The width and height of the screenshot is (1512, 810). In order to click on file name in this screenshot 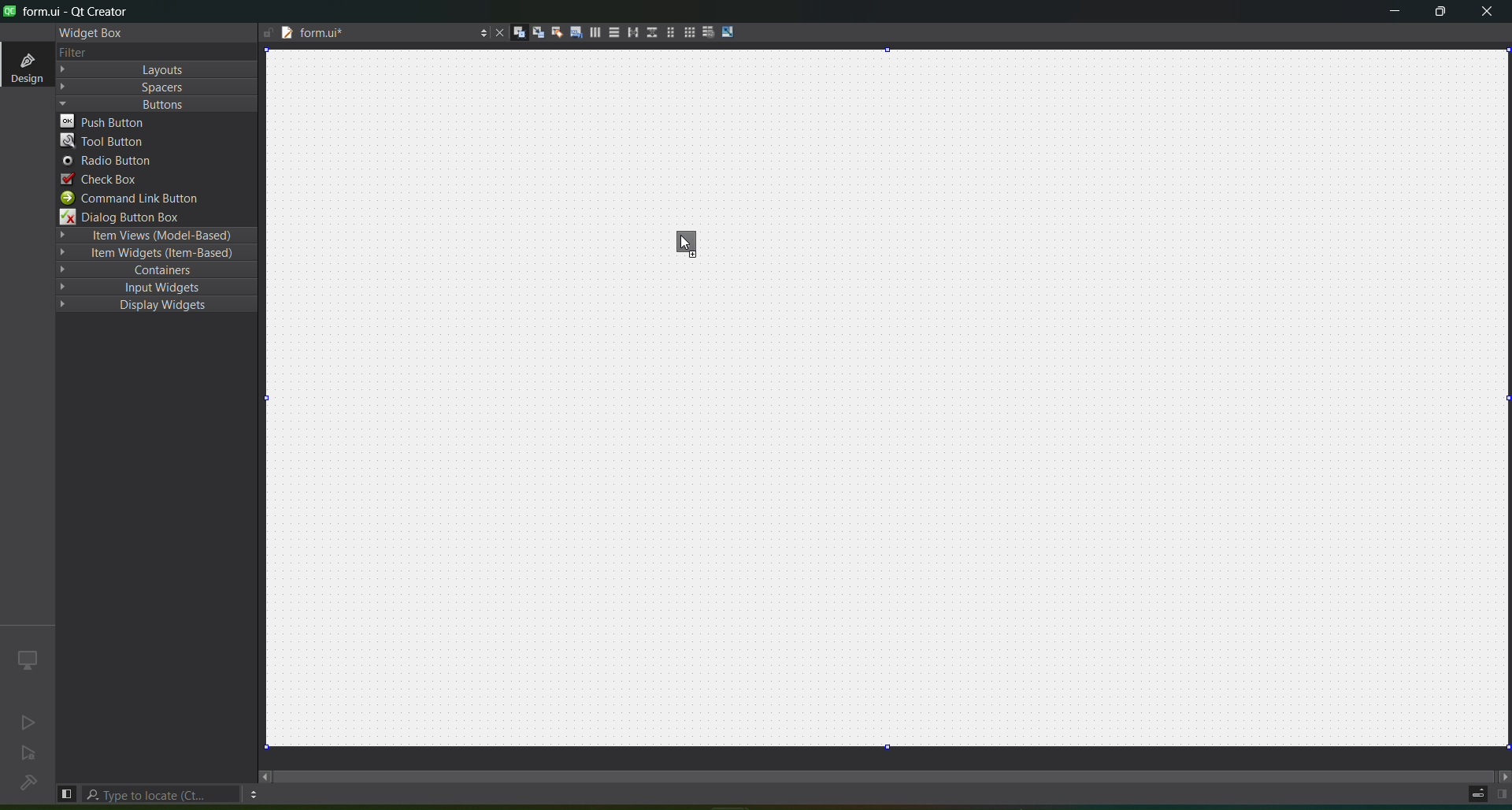, I will do `click(374, 35)`.